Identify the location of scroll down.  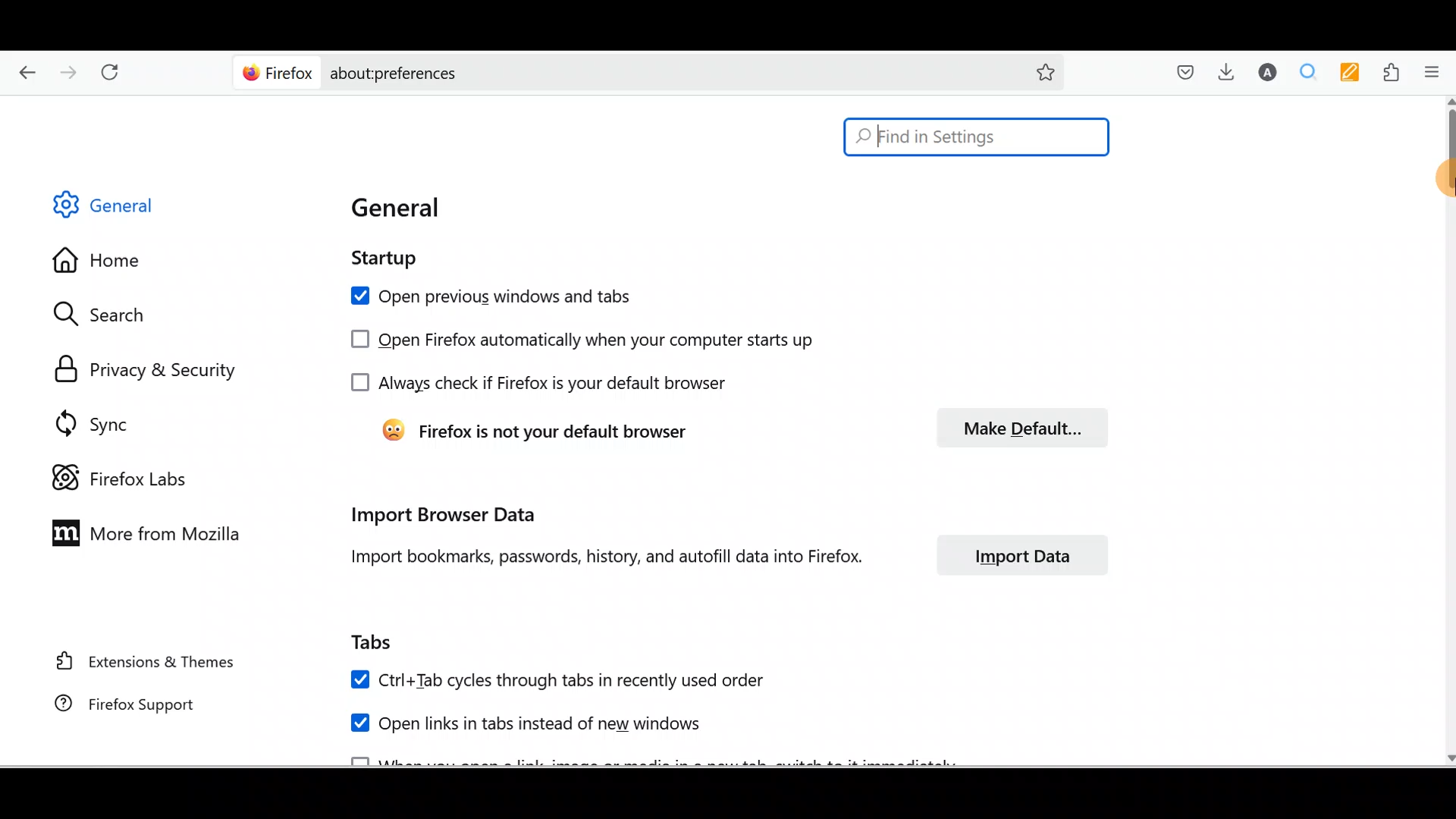
(1447, 756).